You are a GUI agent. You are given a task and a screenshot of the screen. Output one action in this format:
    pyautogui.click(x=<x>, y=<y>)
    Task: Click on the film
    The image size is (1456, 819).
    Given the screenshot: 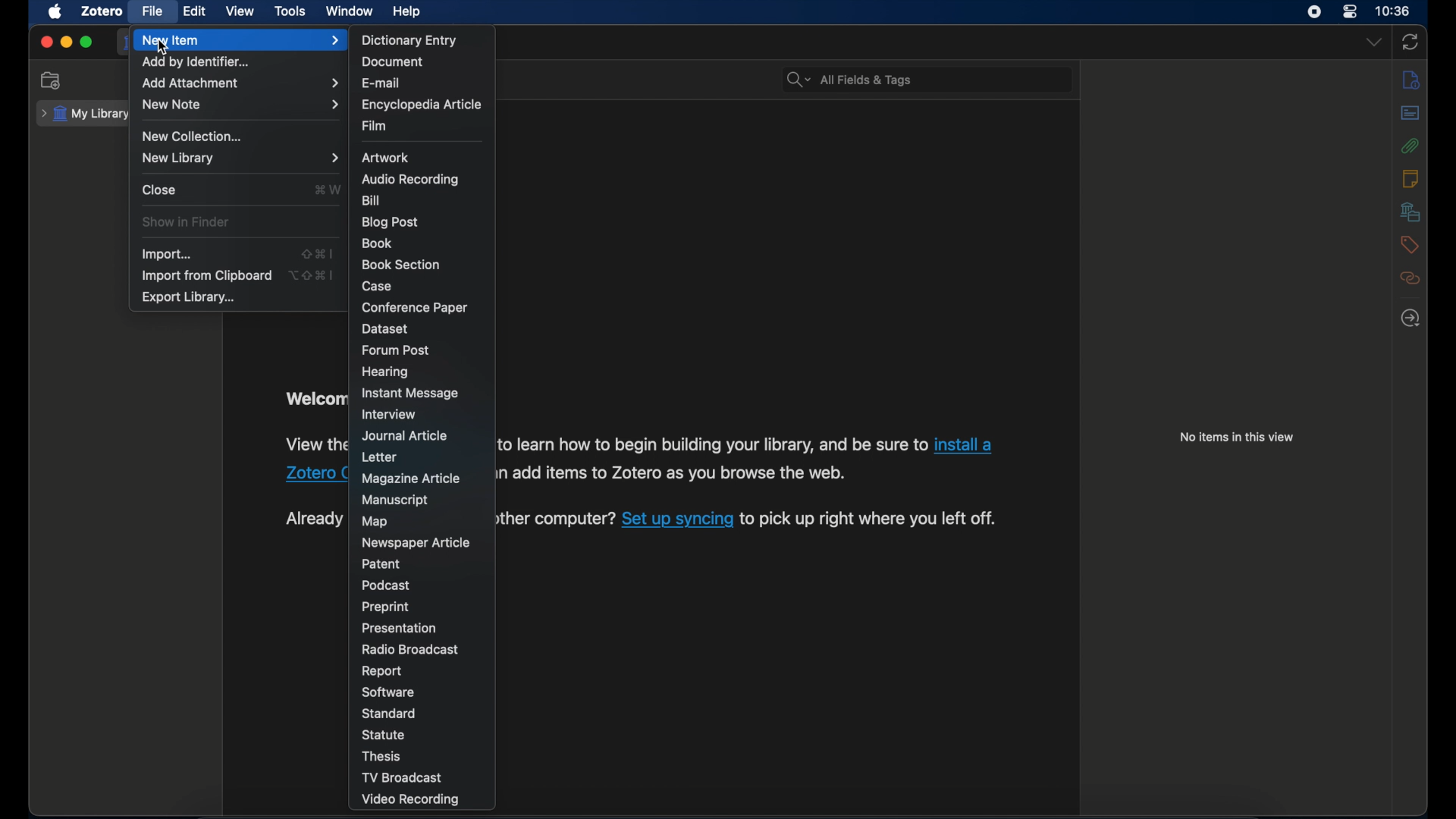 What is the action you would take?
    pyautogui.click(x=376, y=126)
    